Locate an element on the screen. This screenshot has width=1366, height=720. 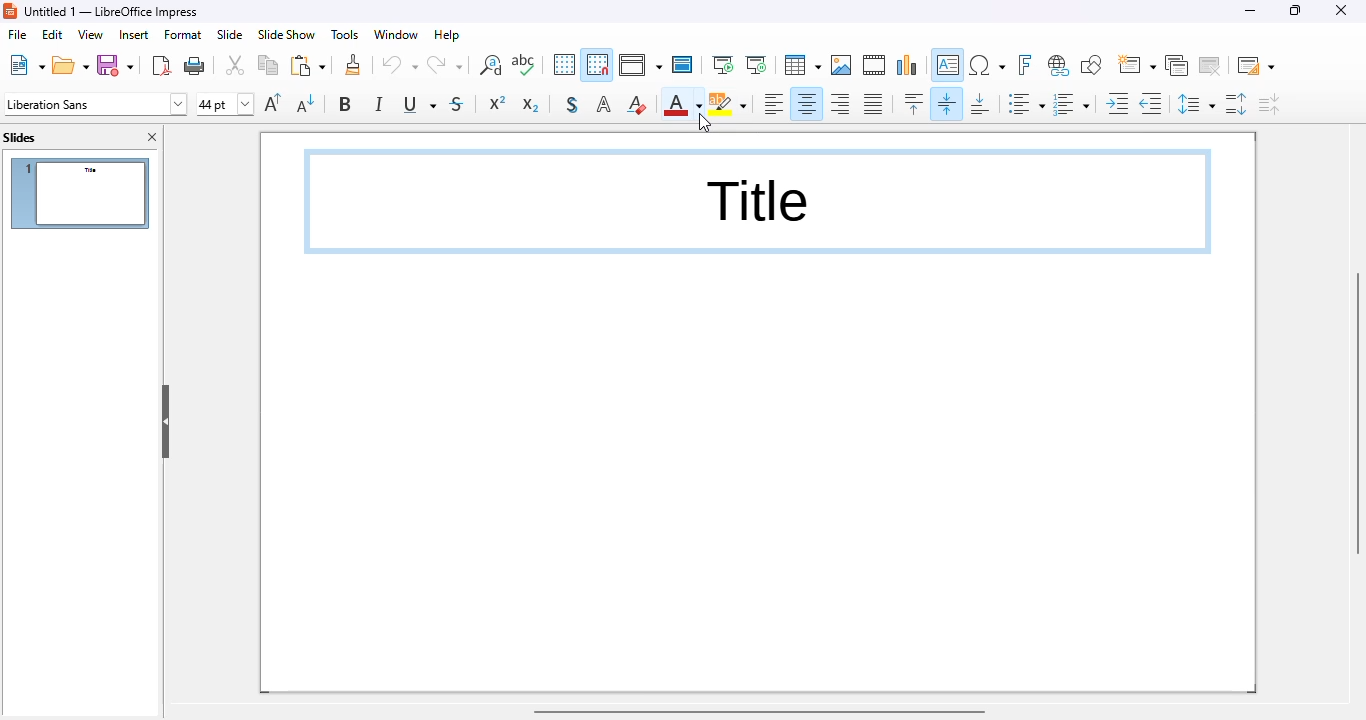
decrease paragraph spacing is located at coordinates (1270, 104).